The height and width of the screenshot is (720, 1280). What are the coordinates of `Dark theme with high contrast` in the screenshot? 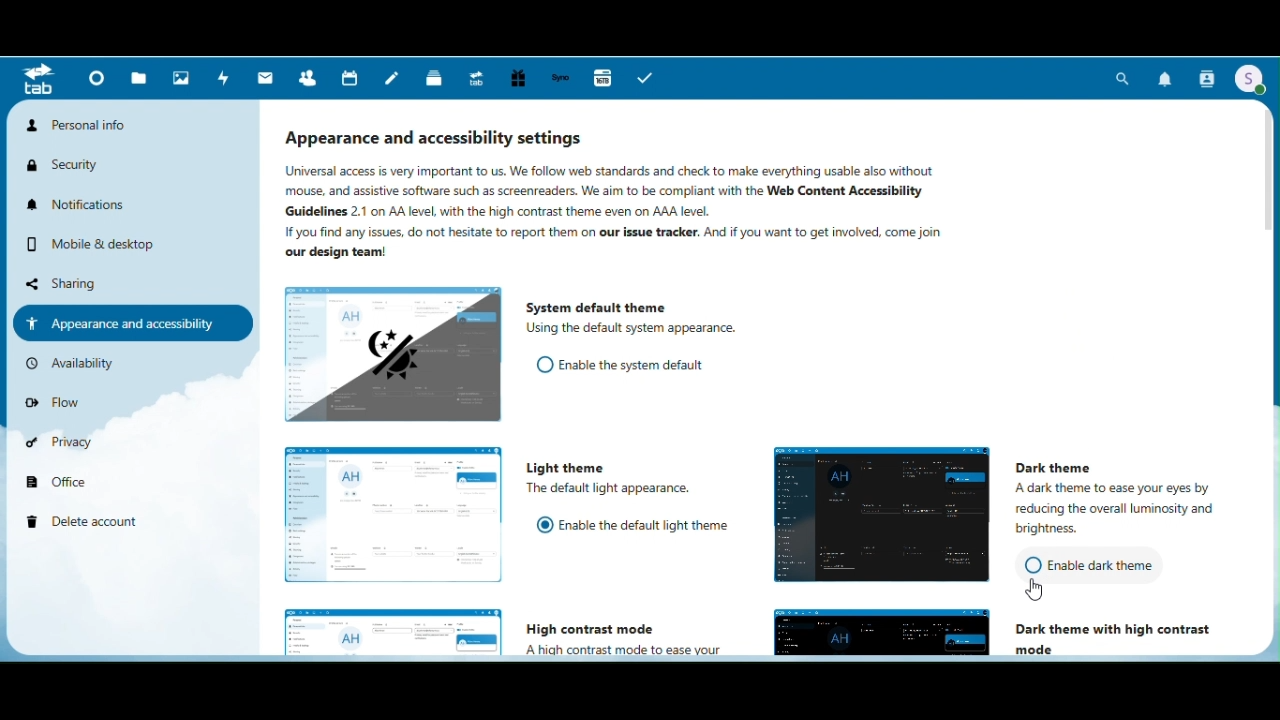 It's located at (1011, 634).